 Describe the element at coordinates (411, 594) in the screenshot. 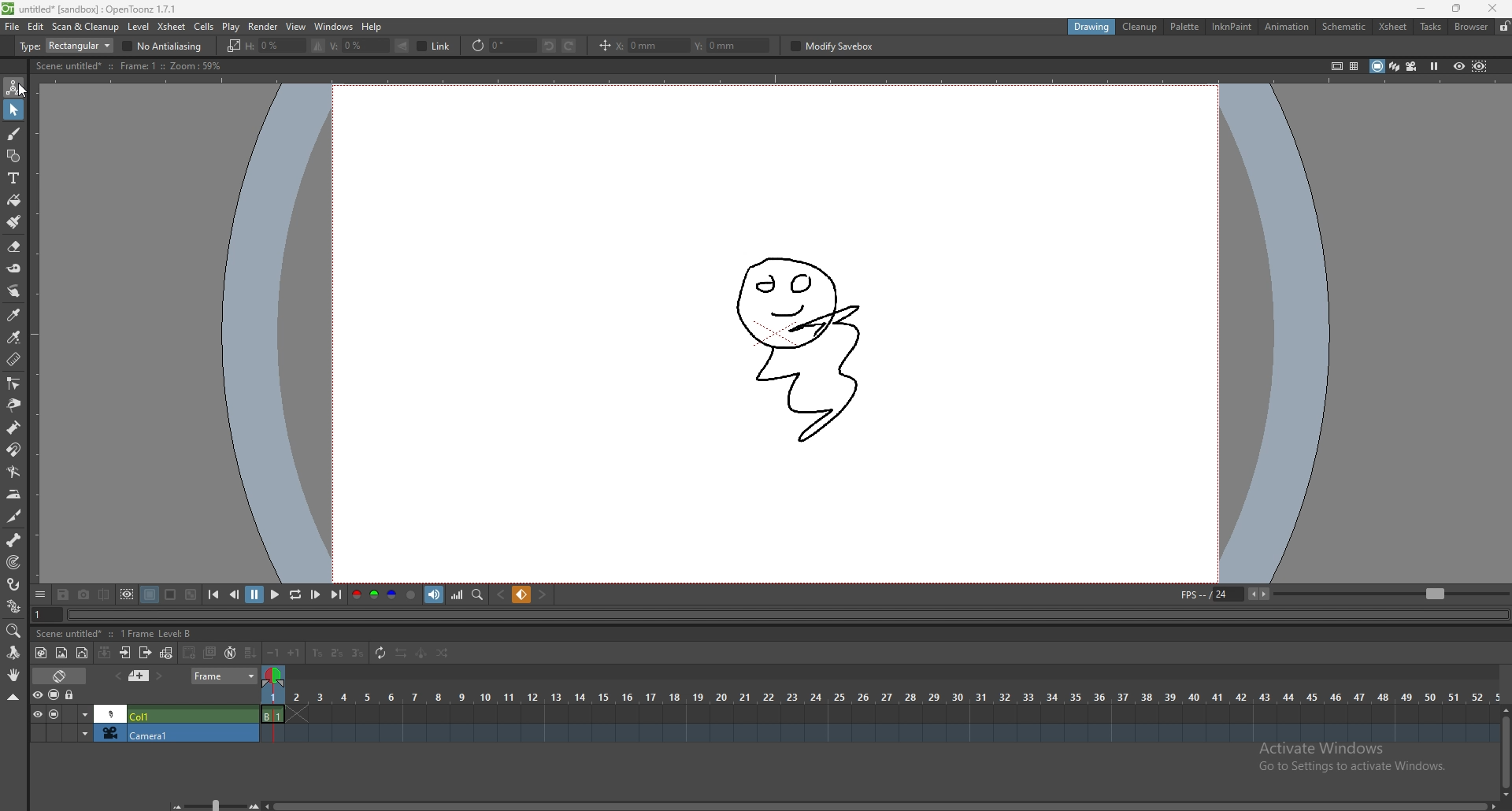

I see `alpha channel` at that location.